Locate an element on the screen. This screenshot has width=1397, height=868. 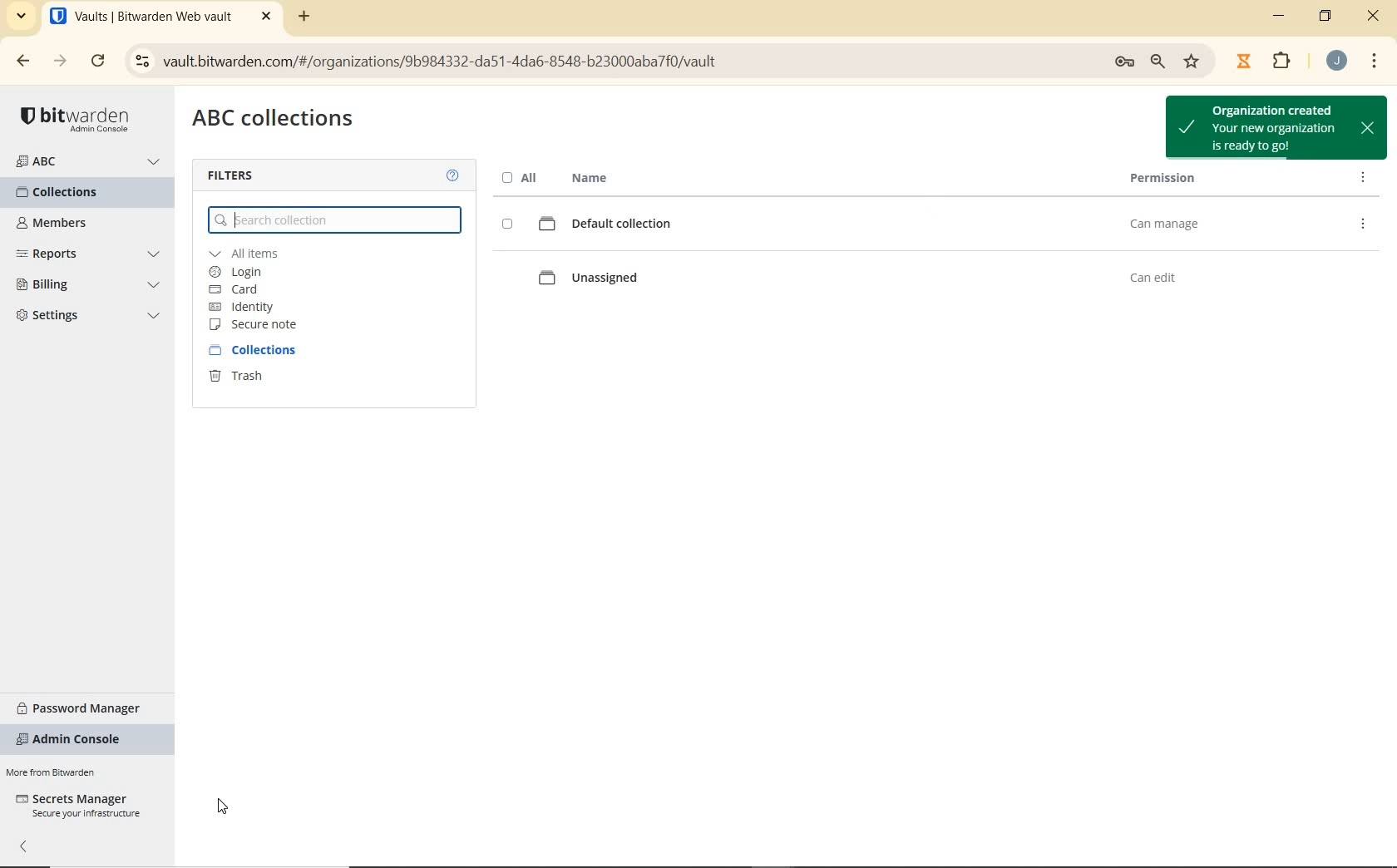
restore down is located at coordinates (1328, 16).